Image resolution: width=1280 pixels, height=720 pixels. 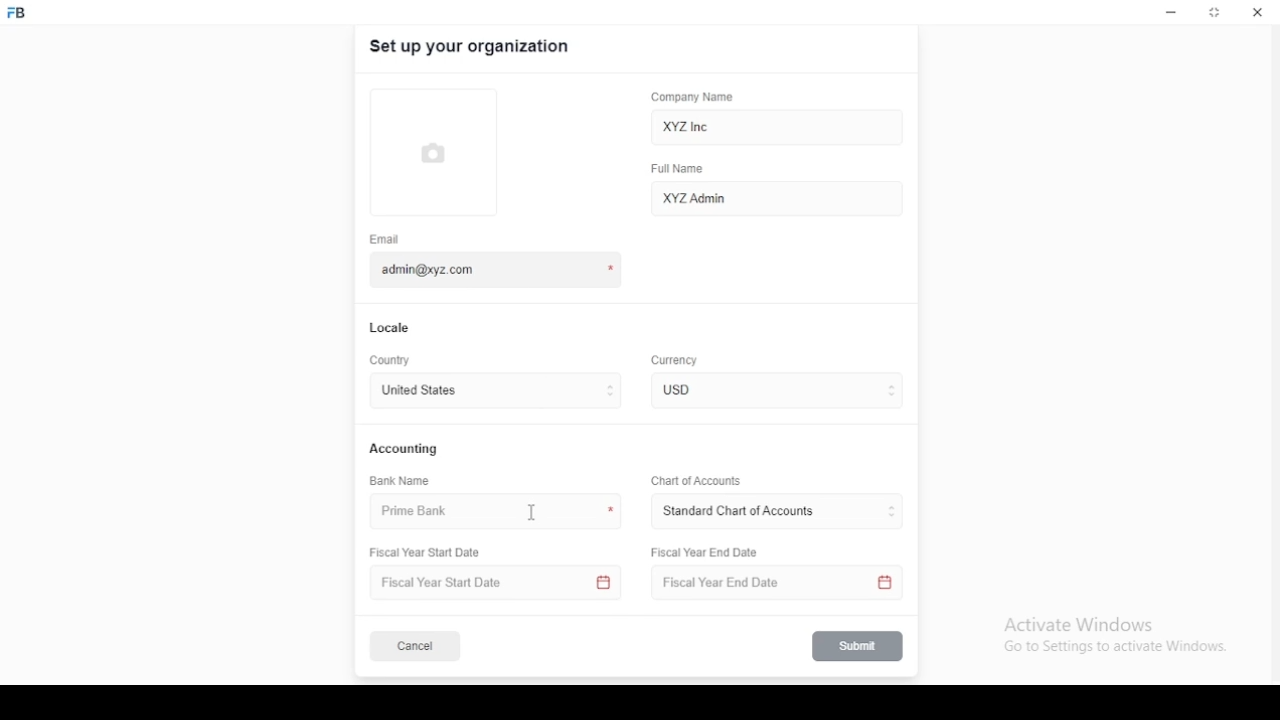 What do you see at coordinates (385, 239) in the screenshot?
I see `email` at bounding box center [385, 239].